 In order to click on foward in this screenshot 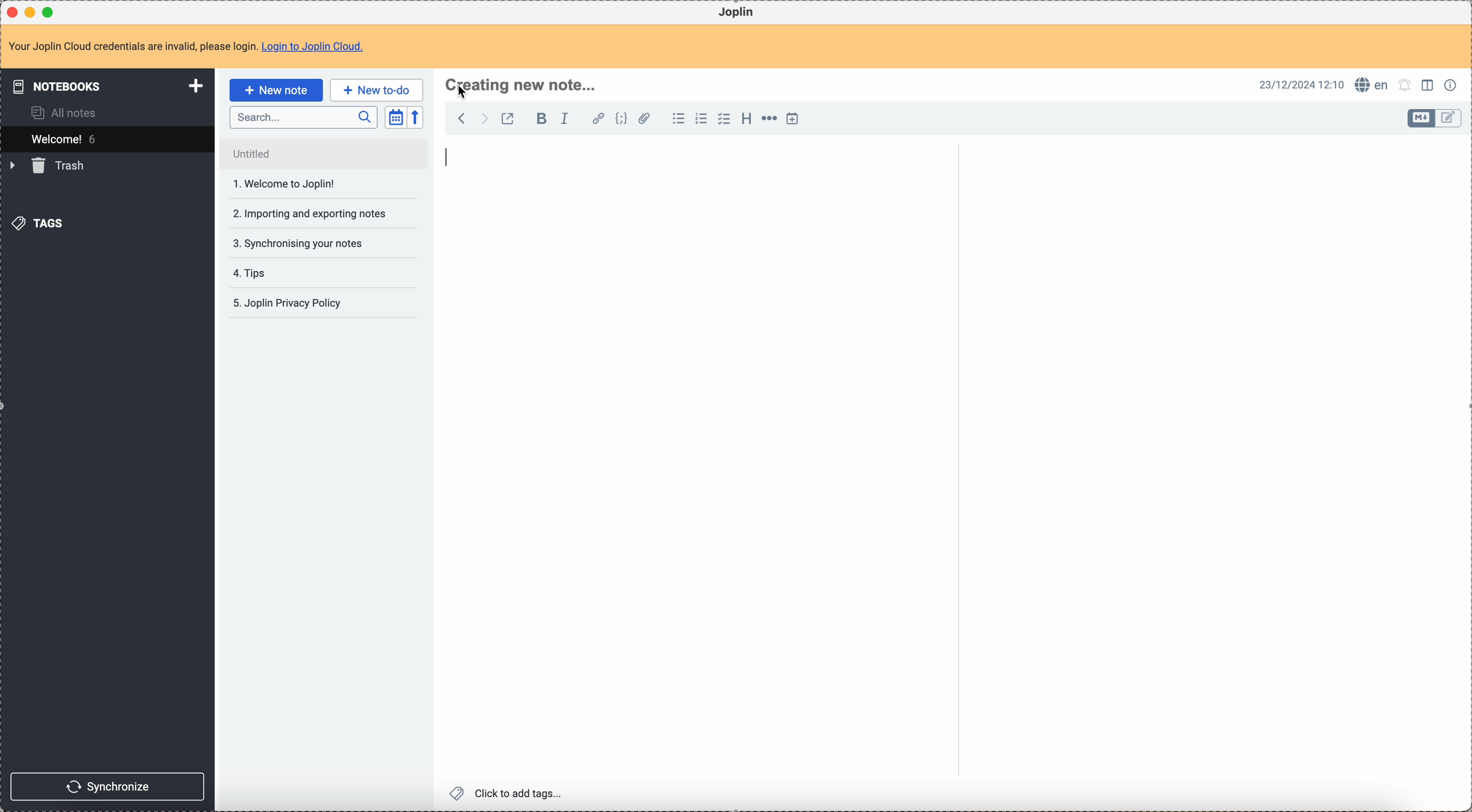, I will do `click(483, 118)`.